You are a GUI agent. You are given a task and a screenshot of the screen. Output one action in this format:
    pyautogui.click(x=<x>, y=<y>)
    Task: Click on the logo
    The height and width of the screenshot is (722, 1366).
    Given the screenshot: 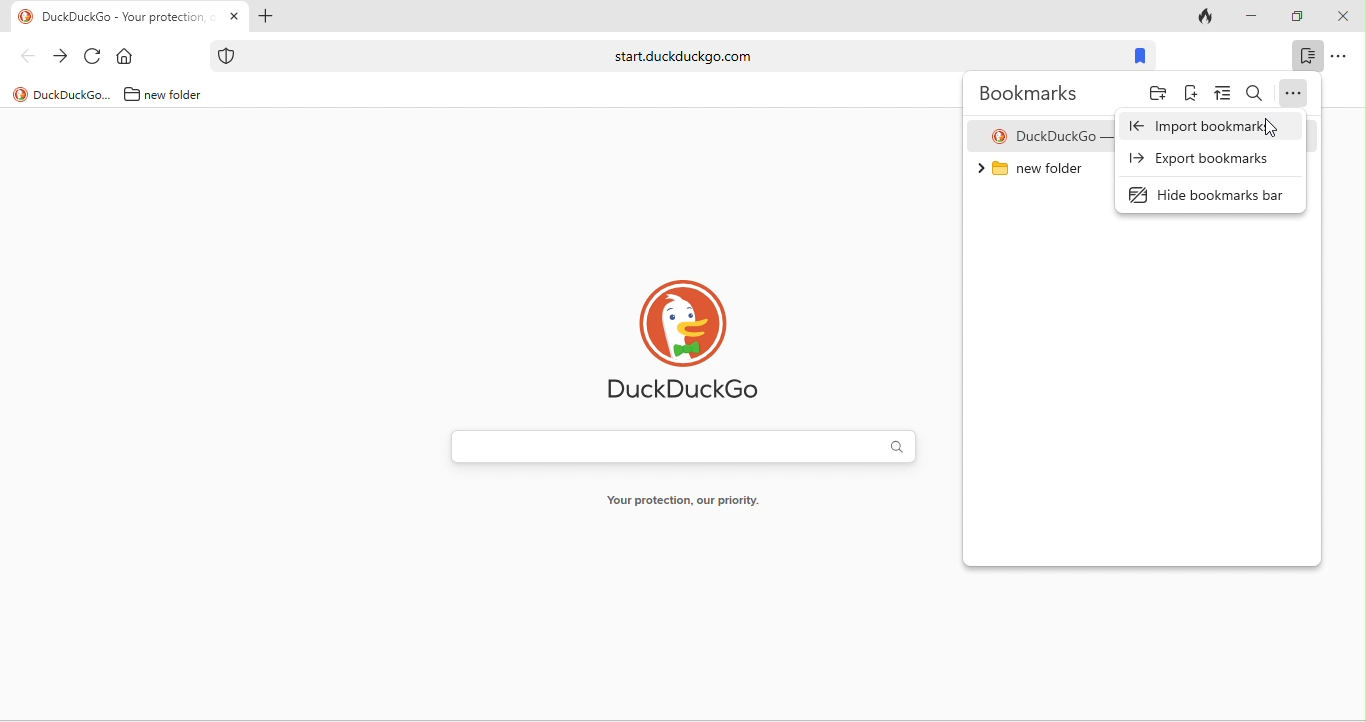 What is the action you would take?
    pyautogui.click(x=999, y=137)
    